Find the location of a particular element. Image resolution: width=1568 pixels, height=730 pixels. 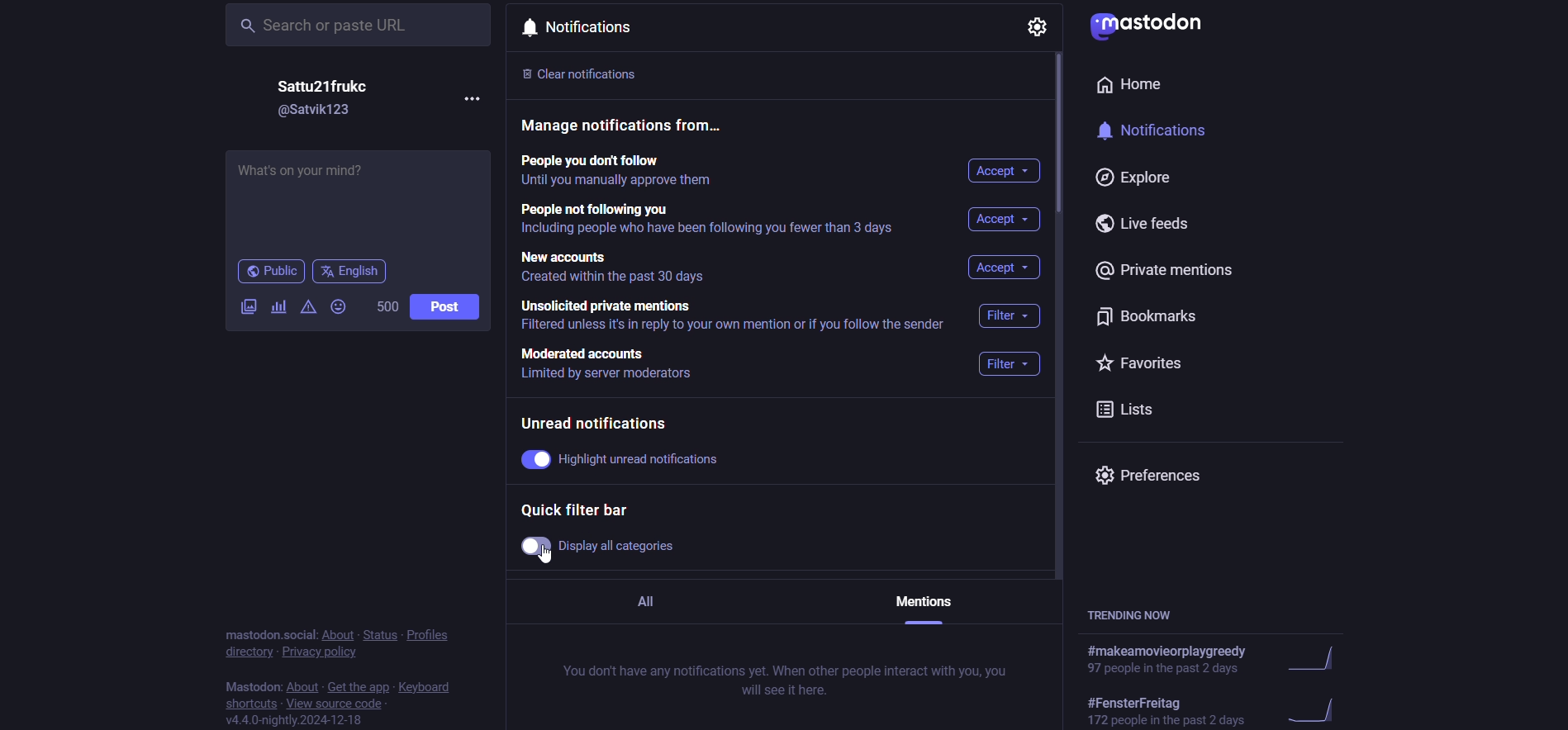

Lists is located at coordinates (1133, 409).